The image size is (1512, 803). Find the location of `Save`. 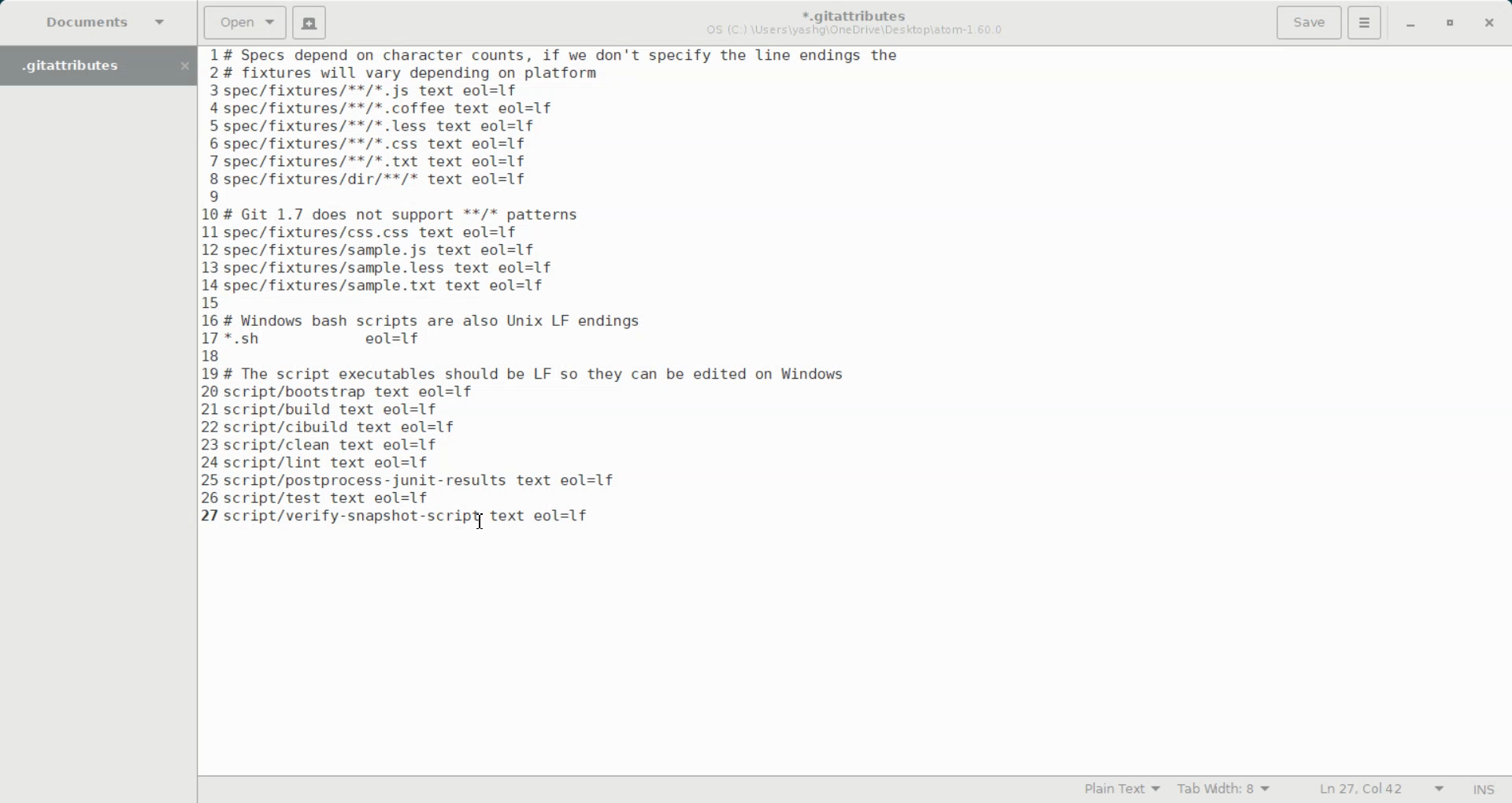

Save is located at coordinates (1308, 23).